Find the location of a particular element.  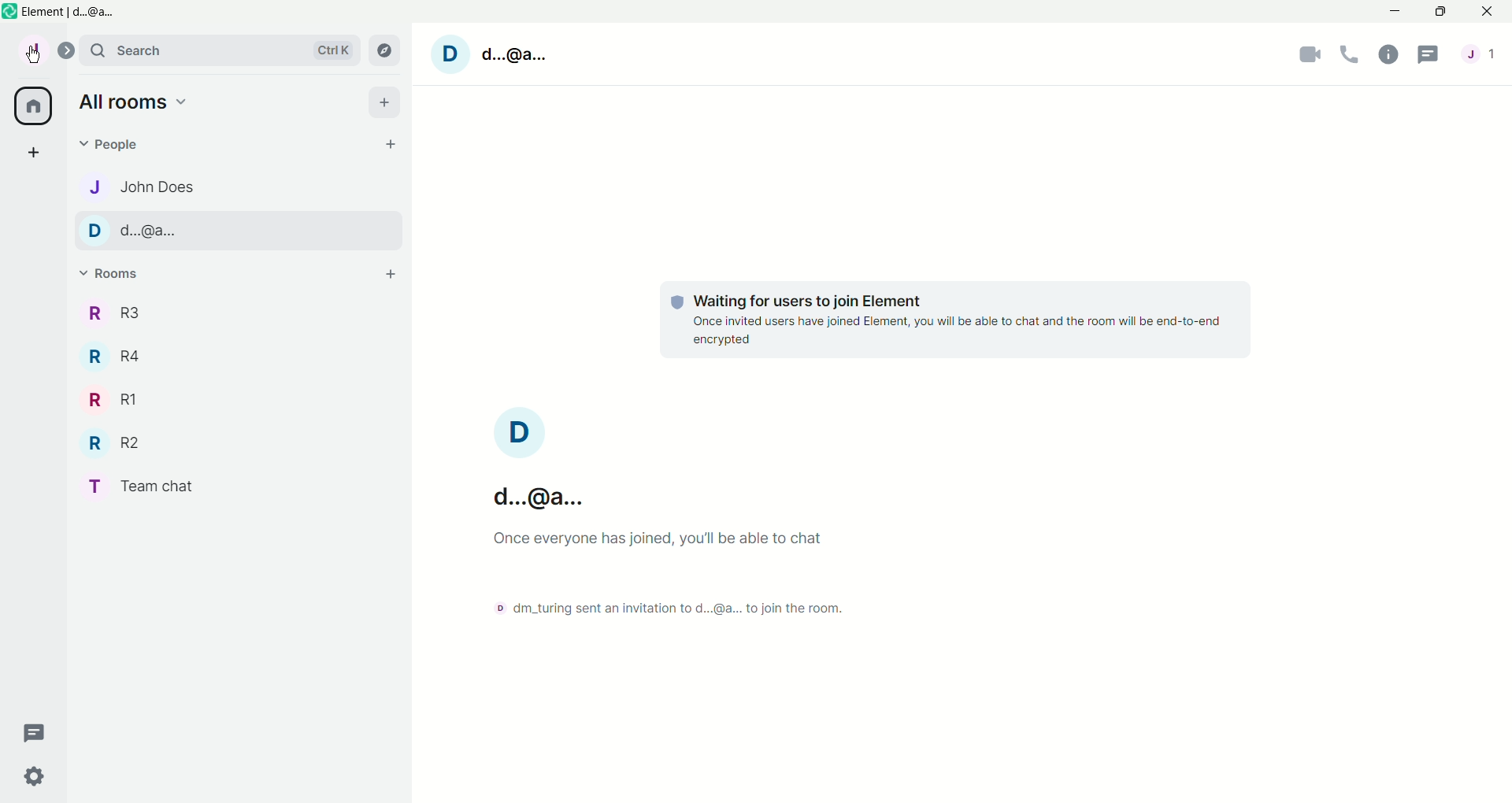

R4 - Room Name is located at coordinates (120, 358).